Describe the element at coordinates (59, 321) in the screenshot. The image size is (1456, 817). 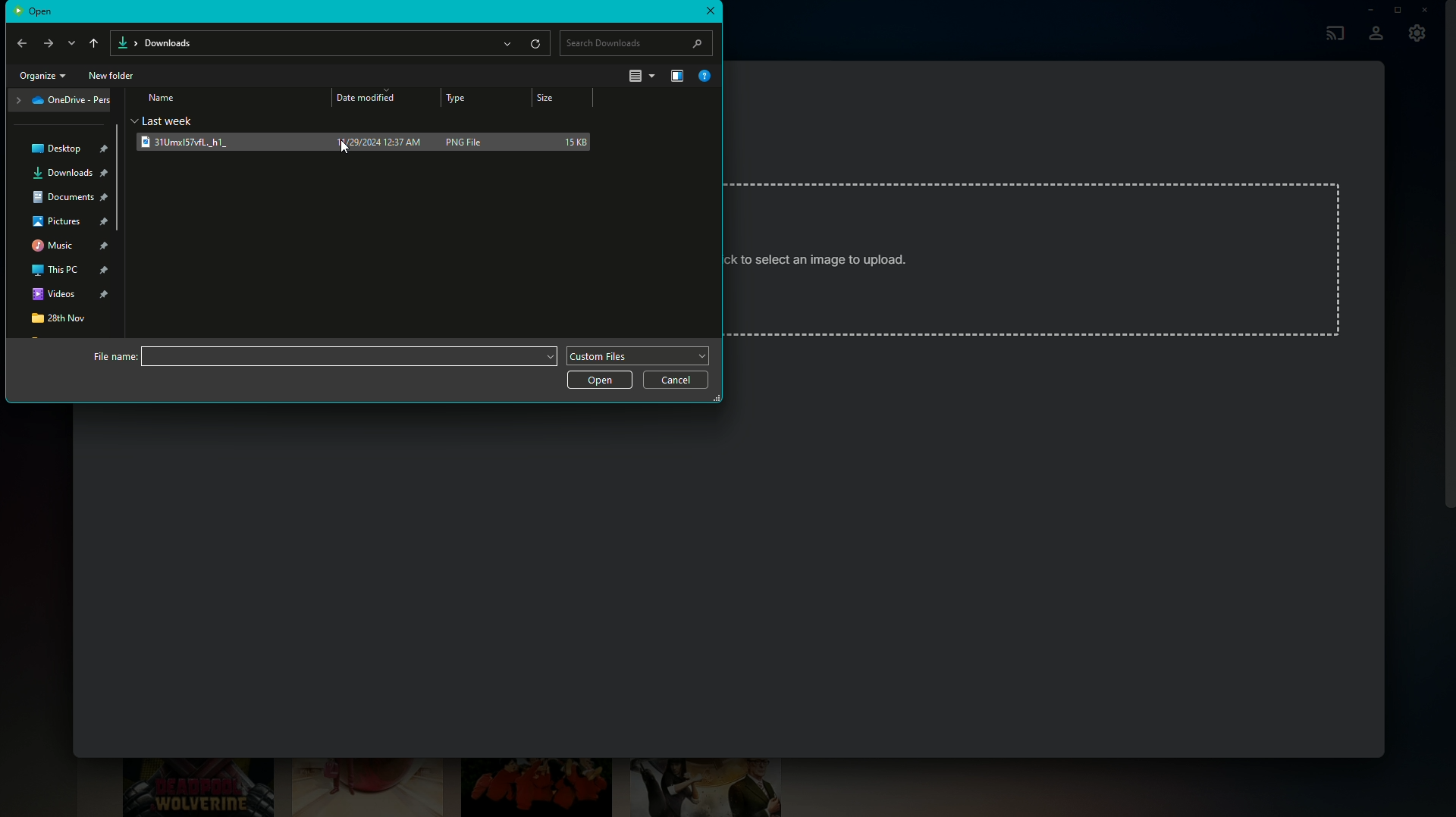
I see `28th Nov` at that location.